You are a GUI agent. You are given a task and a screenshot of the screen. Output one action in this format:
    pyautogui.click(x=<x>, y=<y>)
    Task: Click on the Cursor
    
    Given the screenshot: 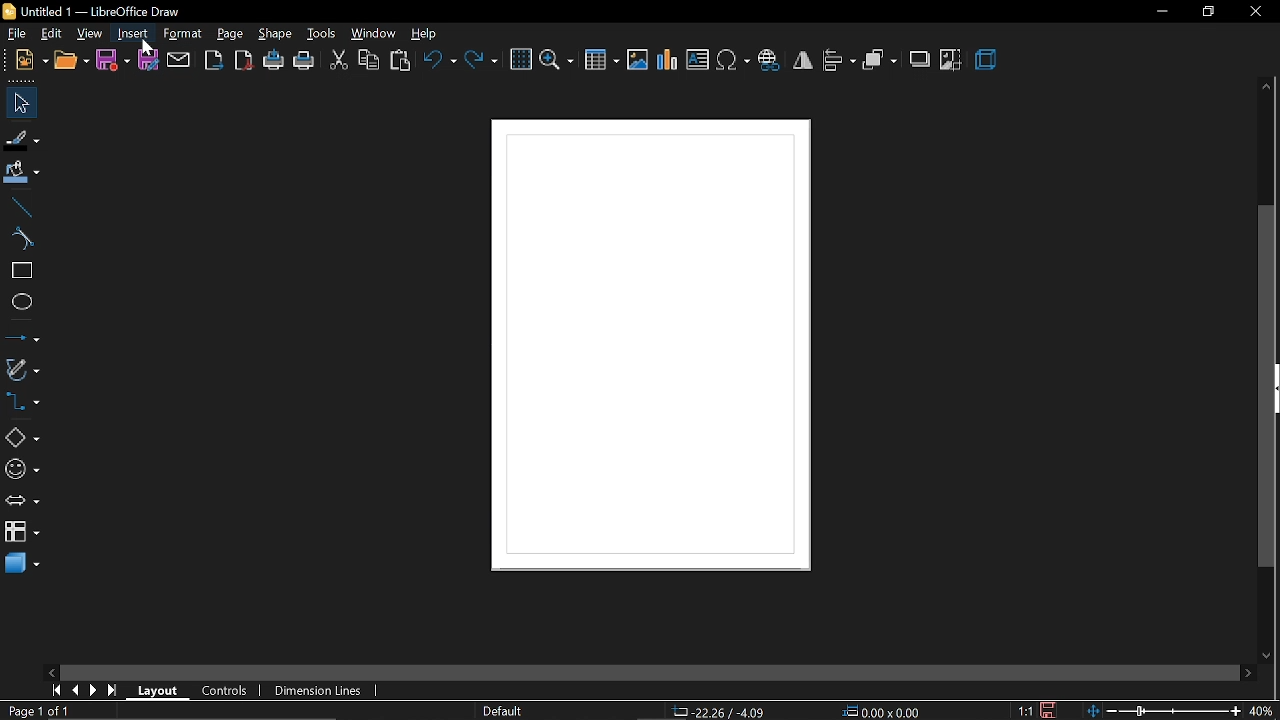 What is the action you would take?
    pyautogui.click(x=149, y=45)
    